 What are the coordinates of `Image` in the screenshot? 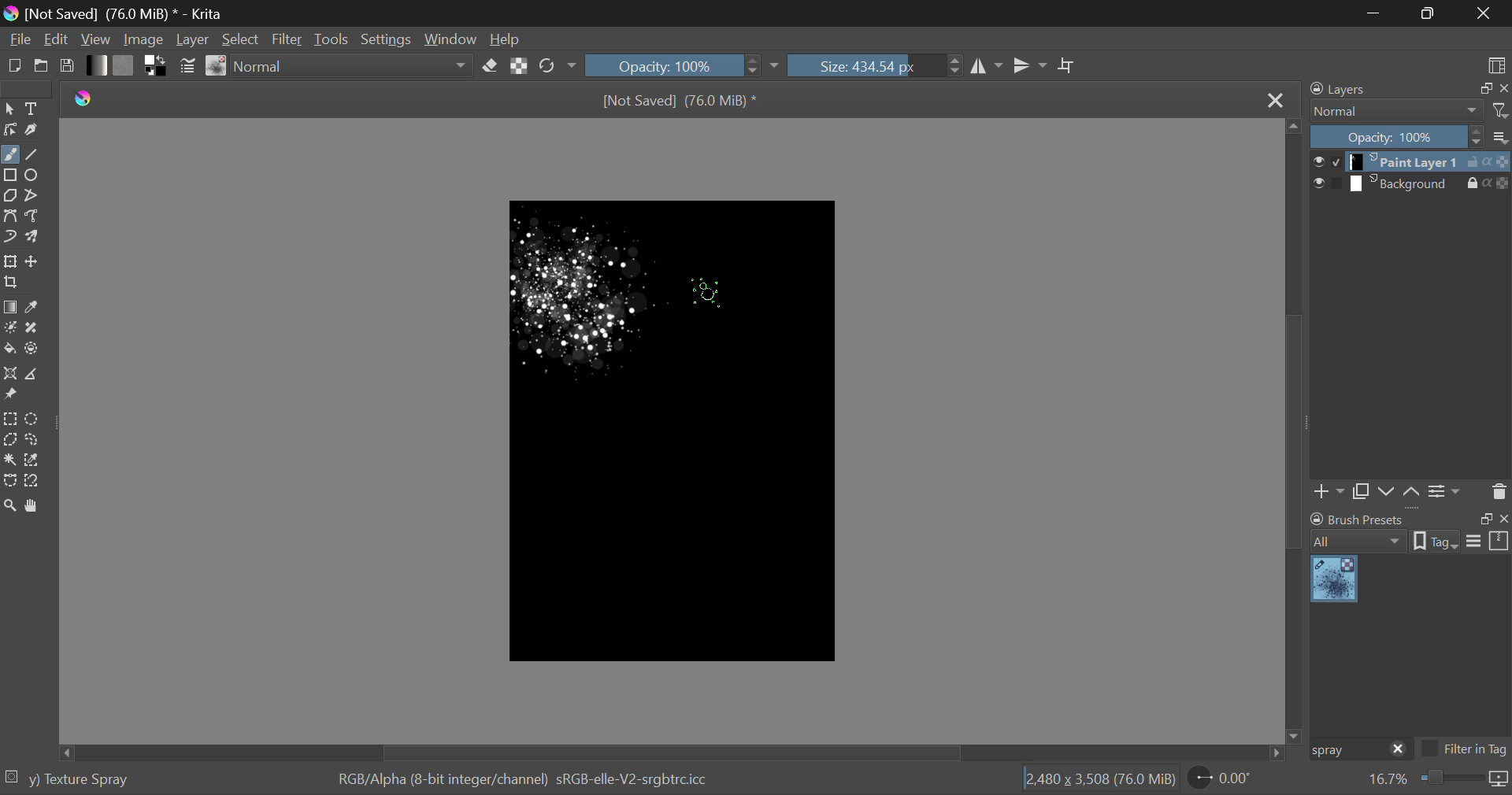 It's located at (148, 38).